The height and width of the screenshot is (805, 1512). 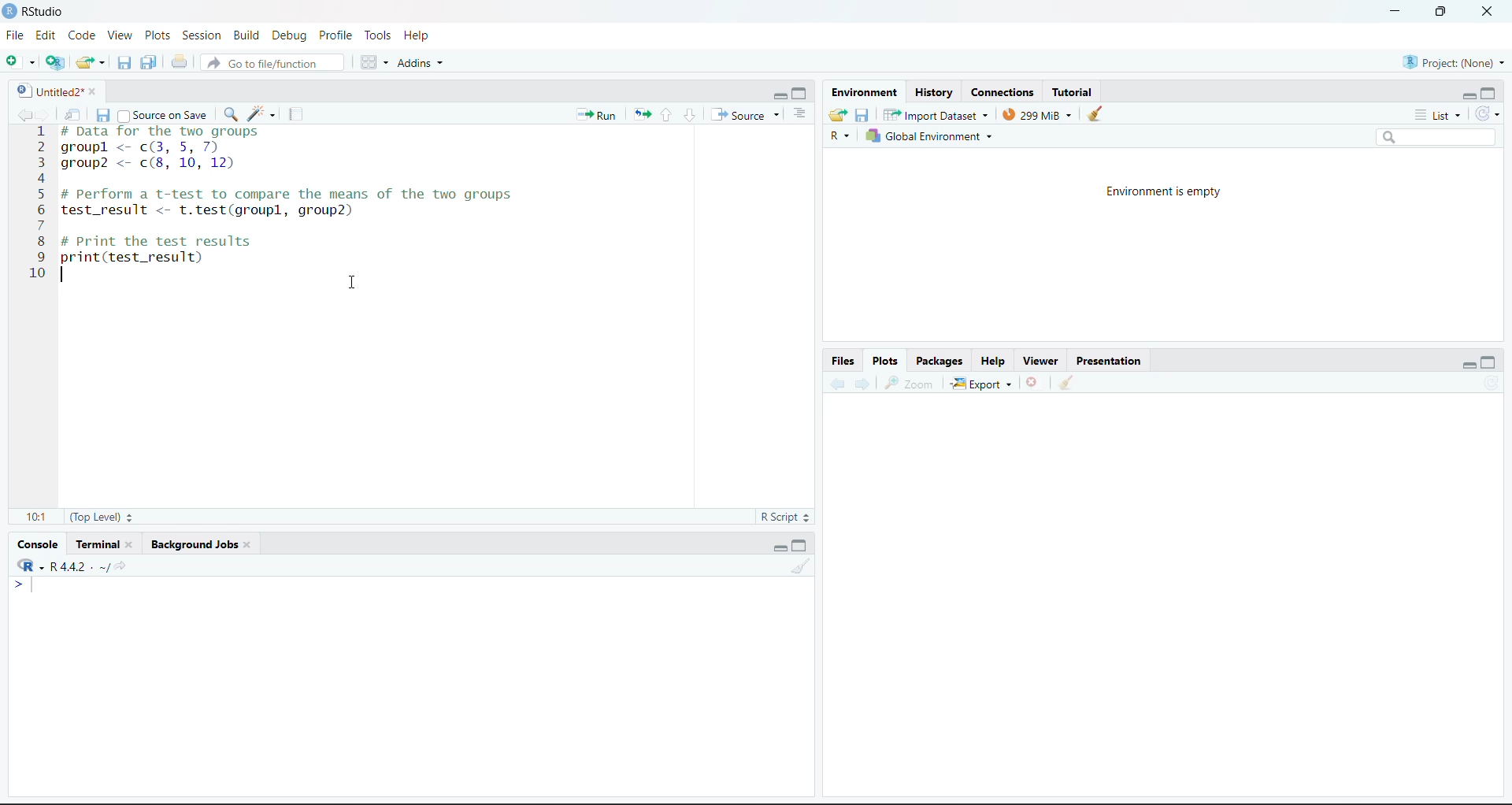 I want to click on load workspace, so click(x=839, y=115).